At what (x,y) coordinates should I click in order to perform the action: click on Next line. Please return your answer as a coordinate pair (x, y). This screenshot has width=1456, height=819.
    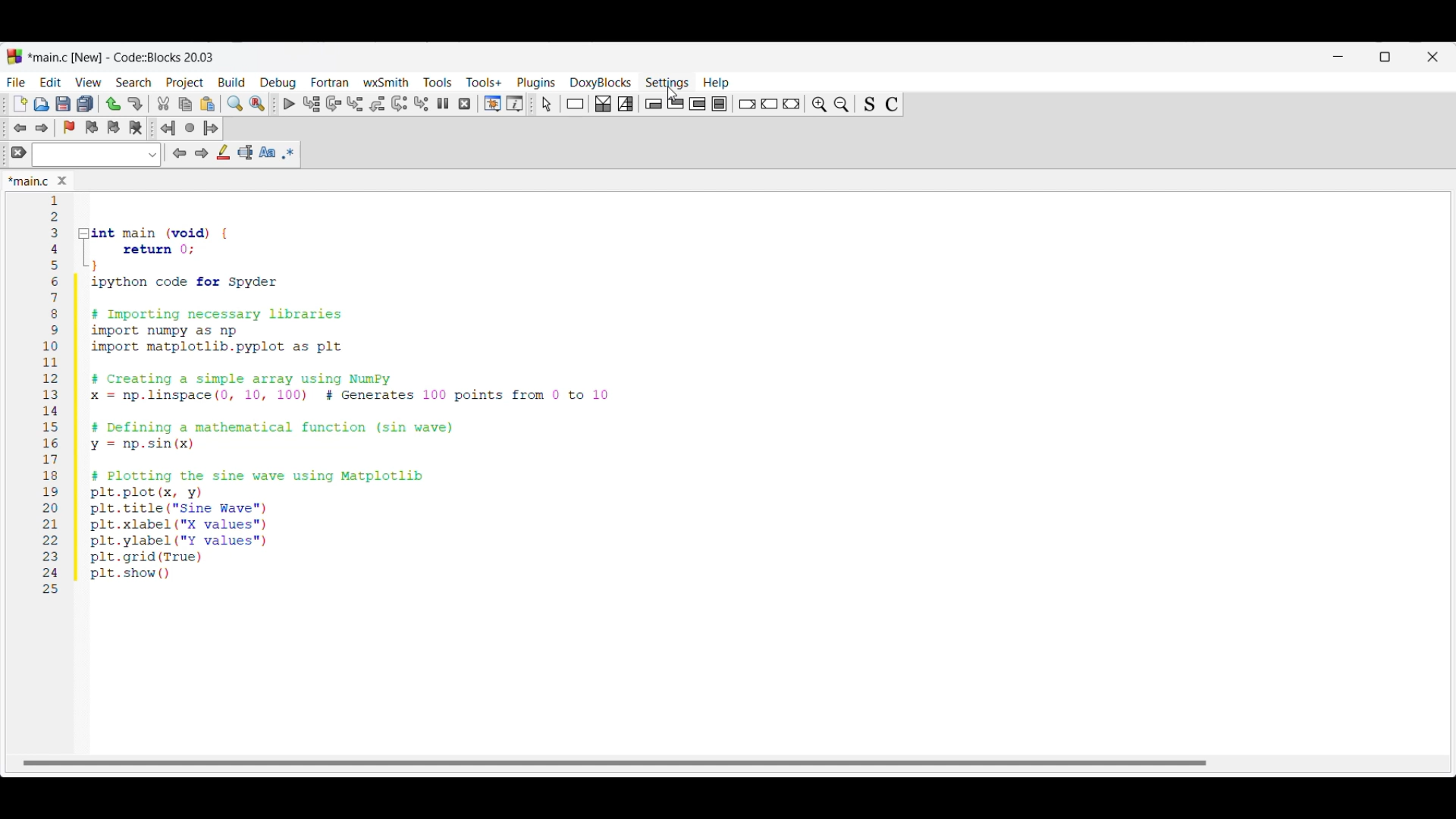
    Looking at the image, I should click on (334, 104).